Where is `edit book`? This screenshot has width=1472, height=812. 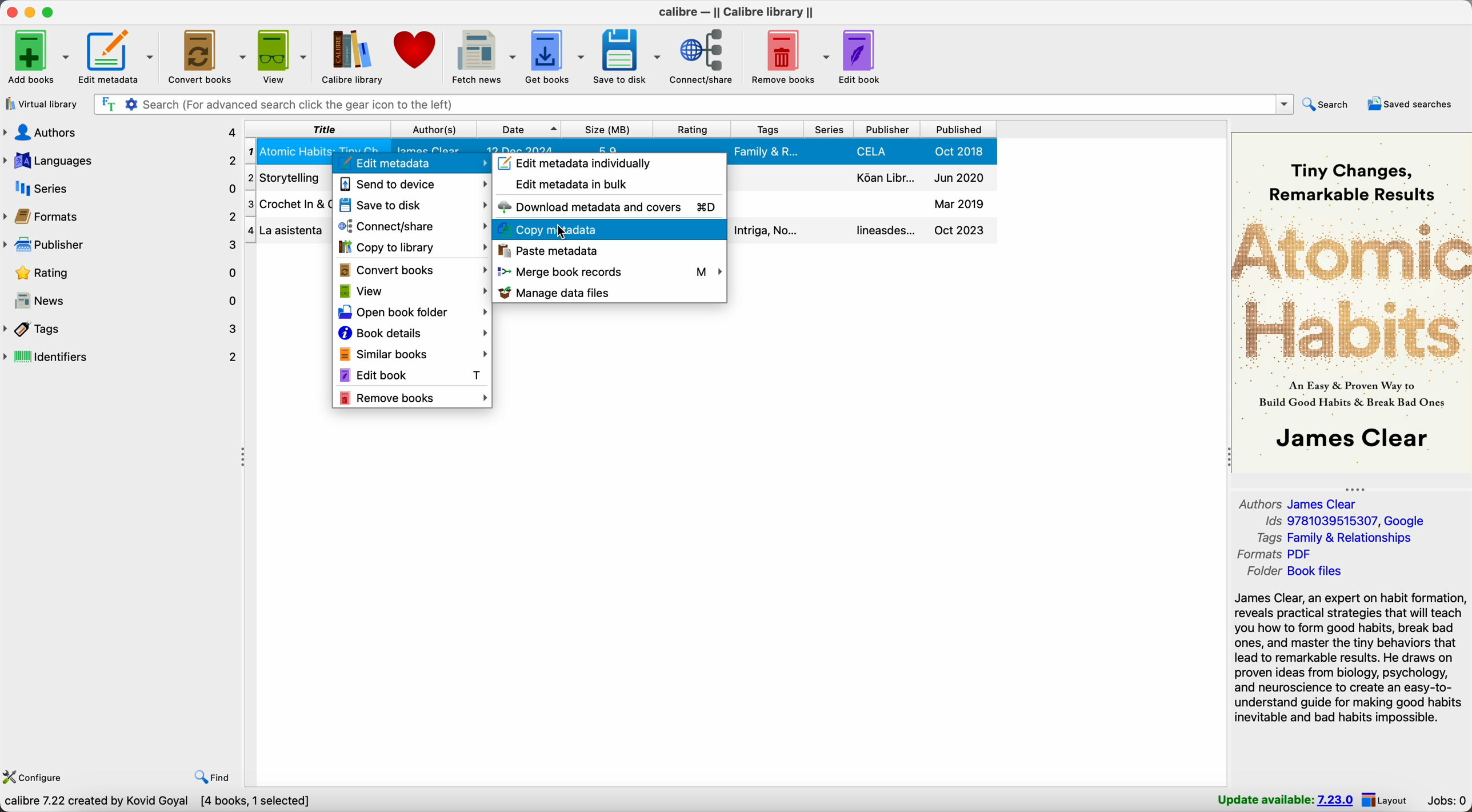 edit book is located at coordinates (862, 56).